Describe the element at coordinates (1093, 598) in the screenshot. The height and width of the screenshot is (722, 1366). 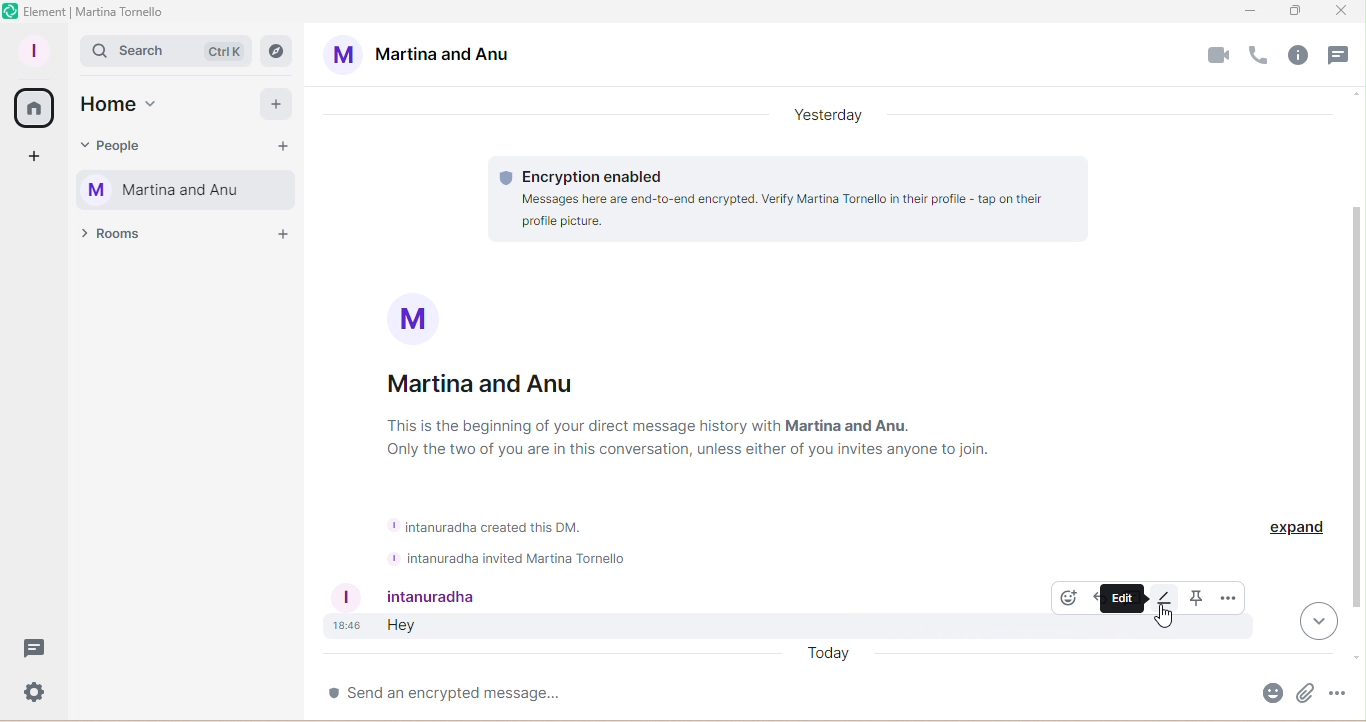
I see `Reply` at that location.